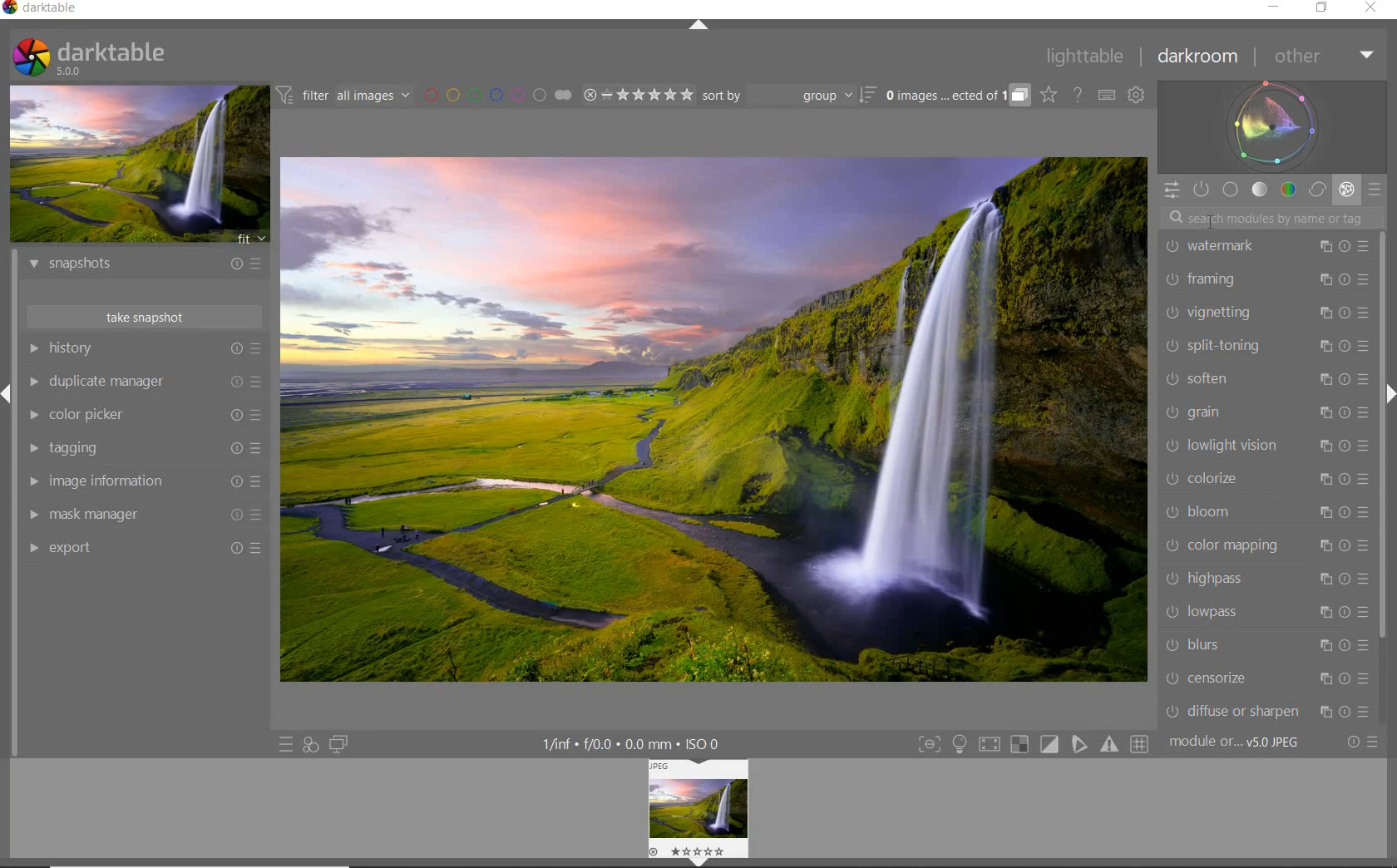 The image size is (1397, 868). What do you see at coordinates (149, 266) in the screenshot?
I see `snapshots` at bounding box center [149, 266].